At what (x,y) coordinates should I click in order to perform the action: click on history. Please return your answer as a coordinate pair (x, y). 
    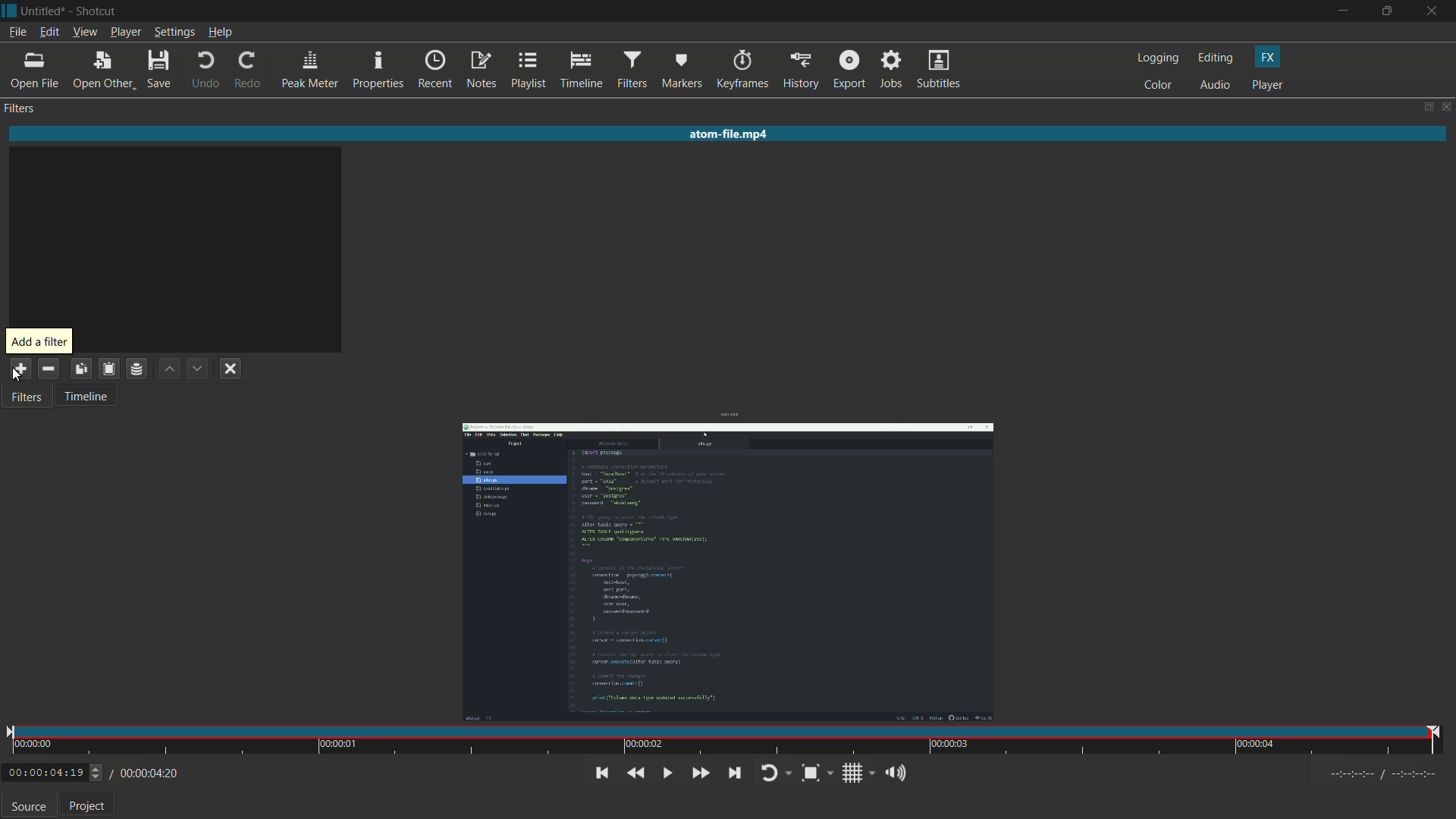
    Looking at the image, I should click on (800, 71).